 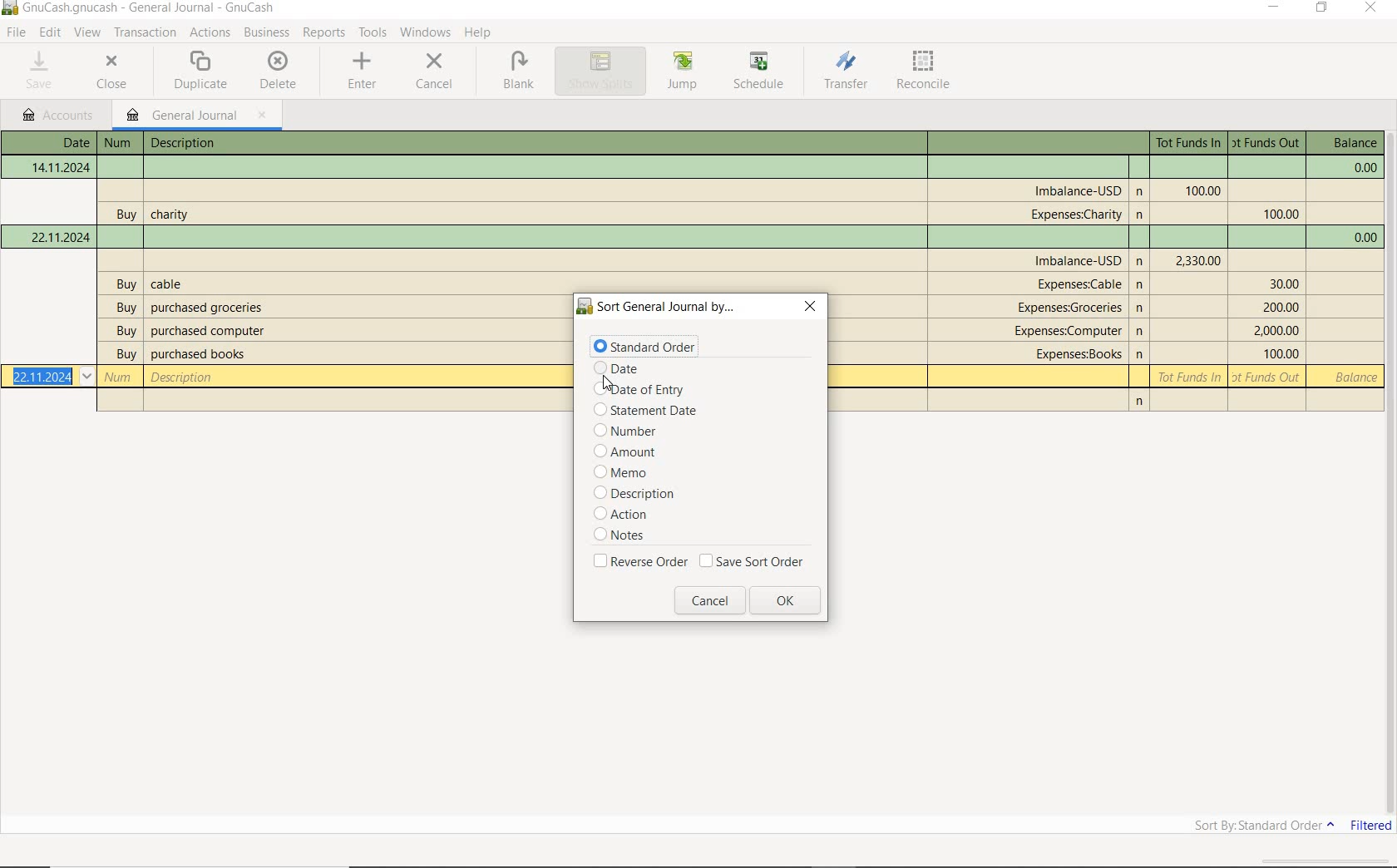 I want to click on SHOW SPLITS, so click(x=601, y=71).